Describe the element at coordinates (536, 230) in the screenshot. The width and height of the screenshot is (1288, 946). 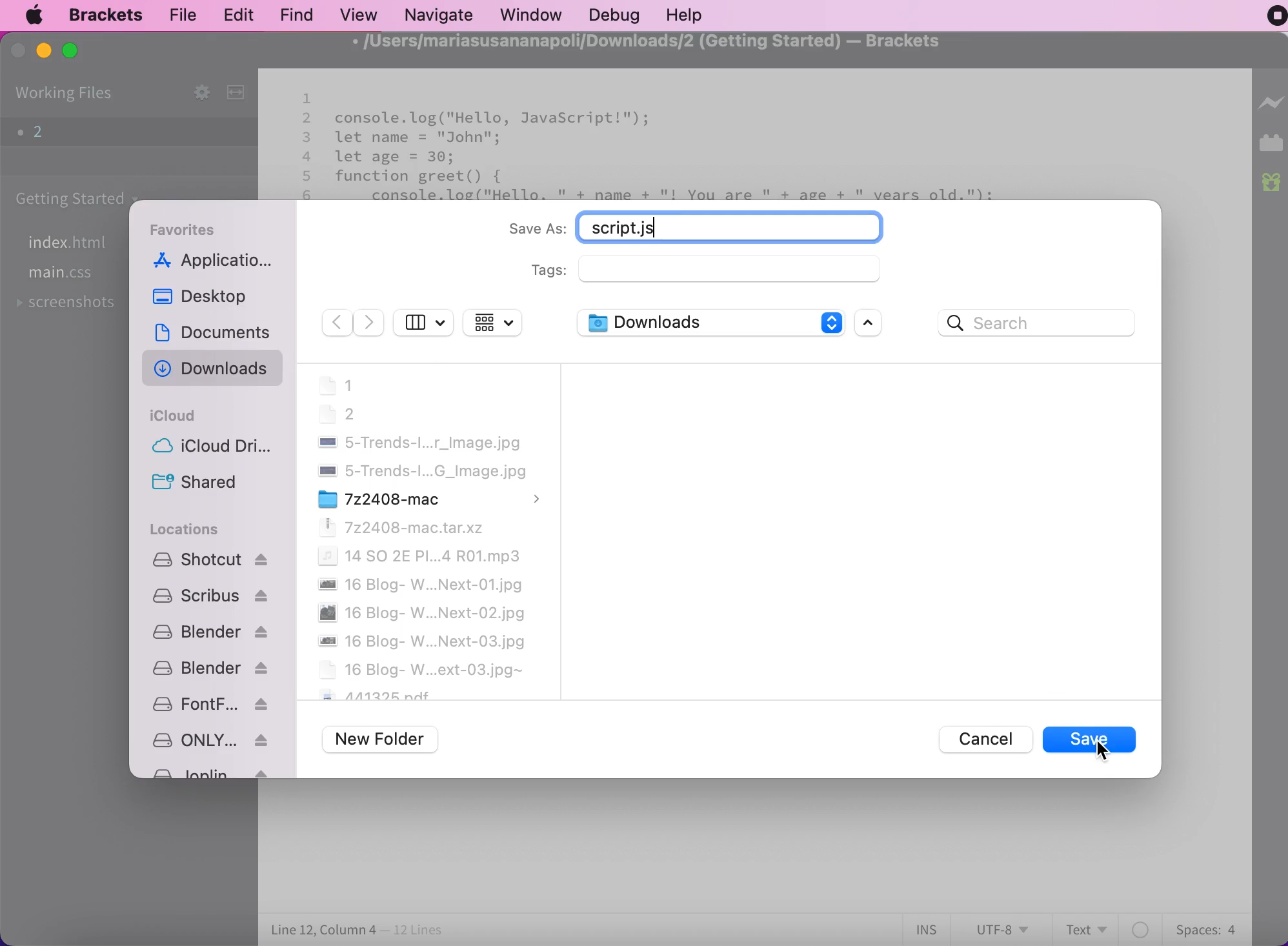
I see `save as:` at that location.